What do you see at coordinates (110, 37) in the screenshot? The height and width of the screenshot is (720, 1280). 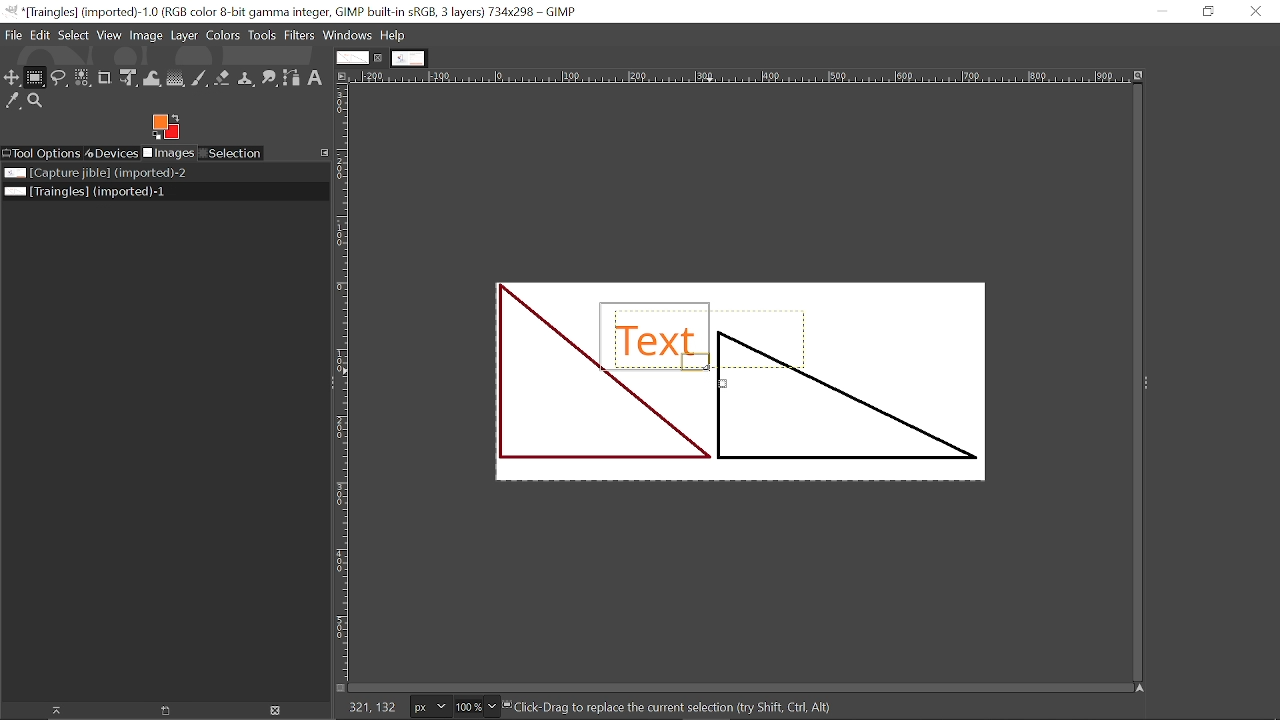 I see `View` at bounding box center [110, 37].